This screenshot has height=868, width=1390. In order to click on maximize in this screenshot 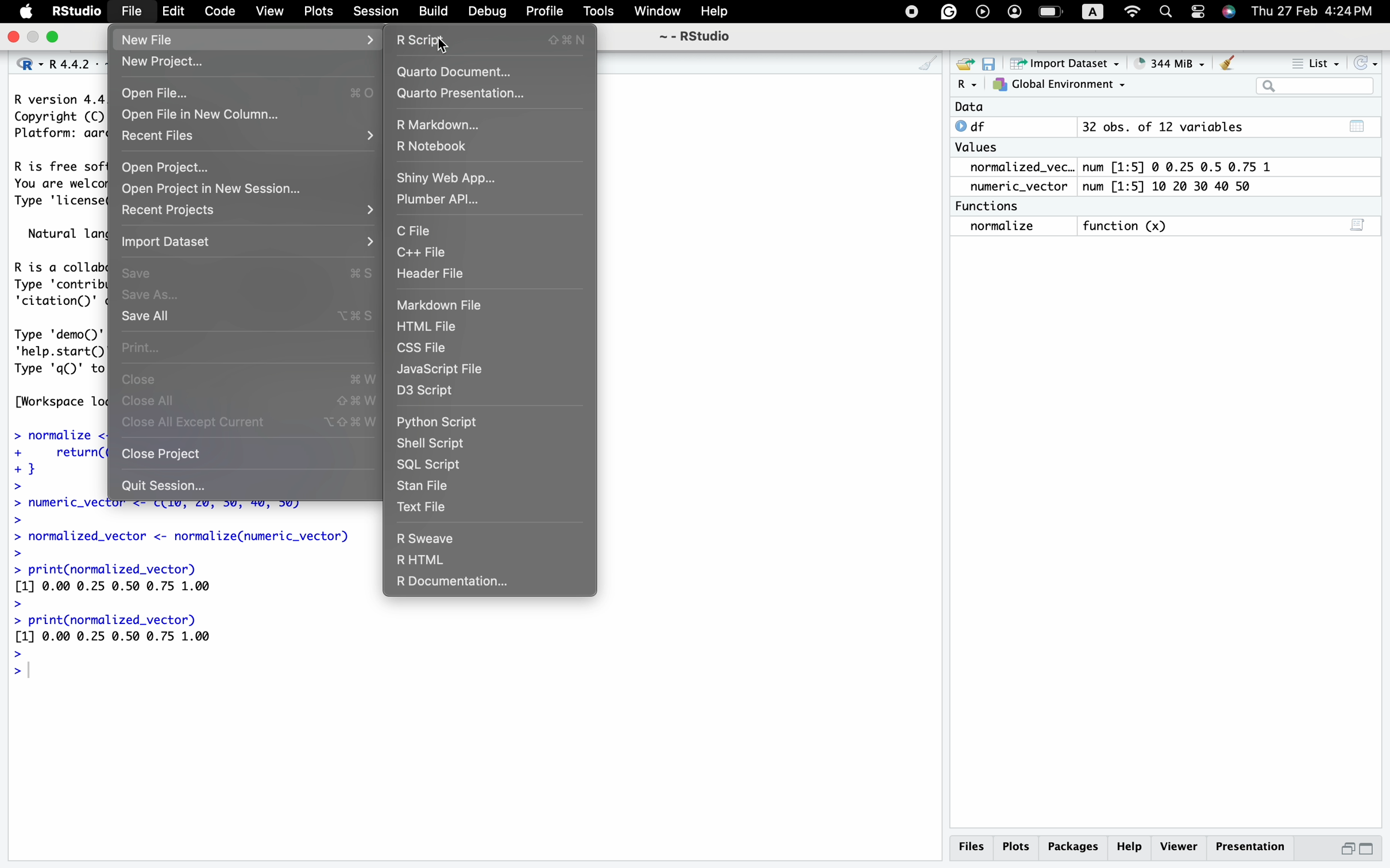, I will do `click(33, 37)`.